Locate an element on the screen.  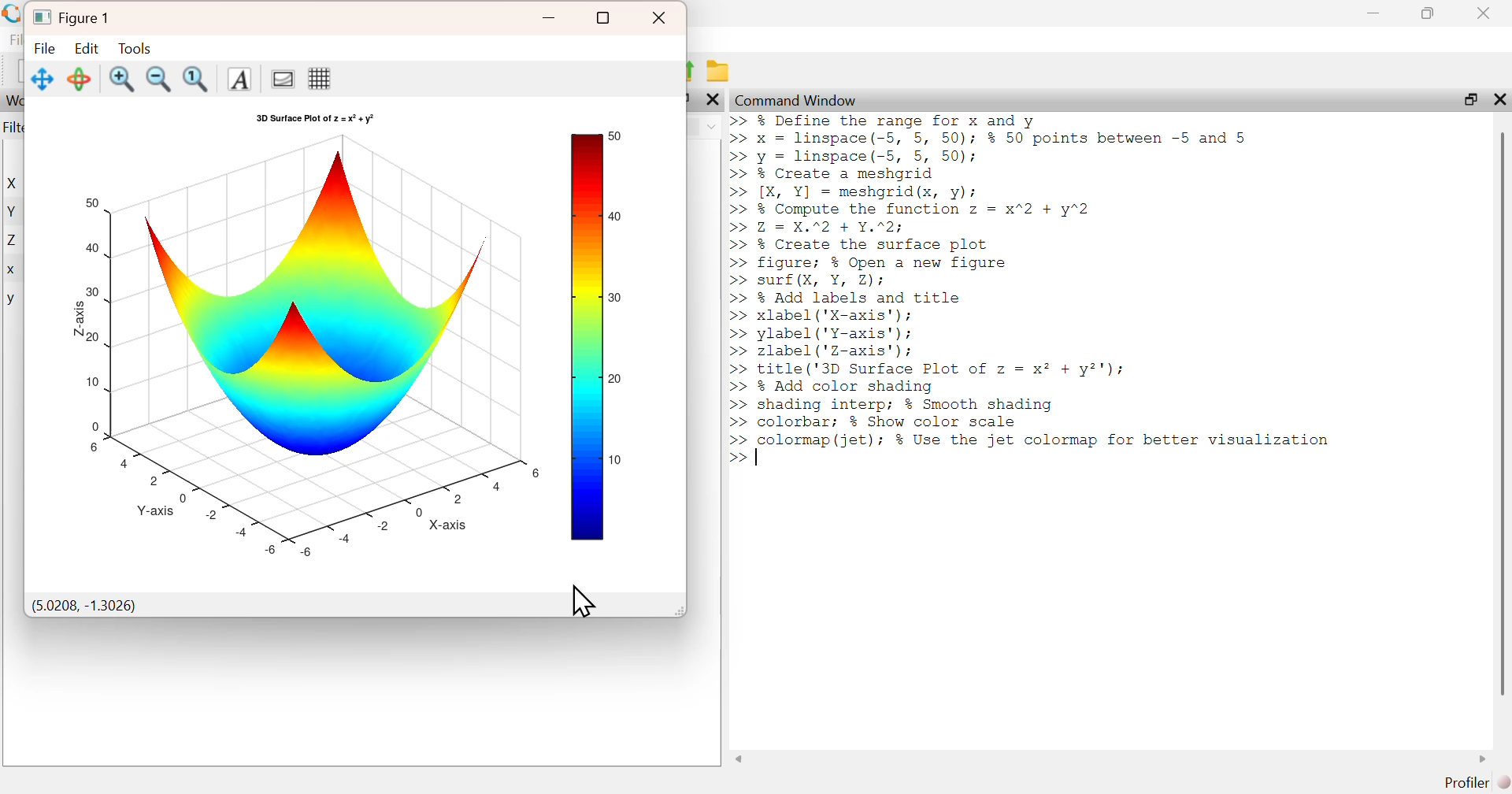
Z is located at coordinates (14, 241).